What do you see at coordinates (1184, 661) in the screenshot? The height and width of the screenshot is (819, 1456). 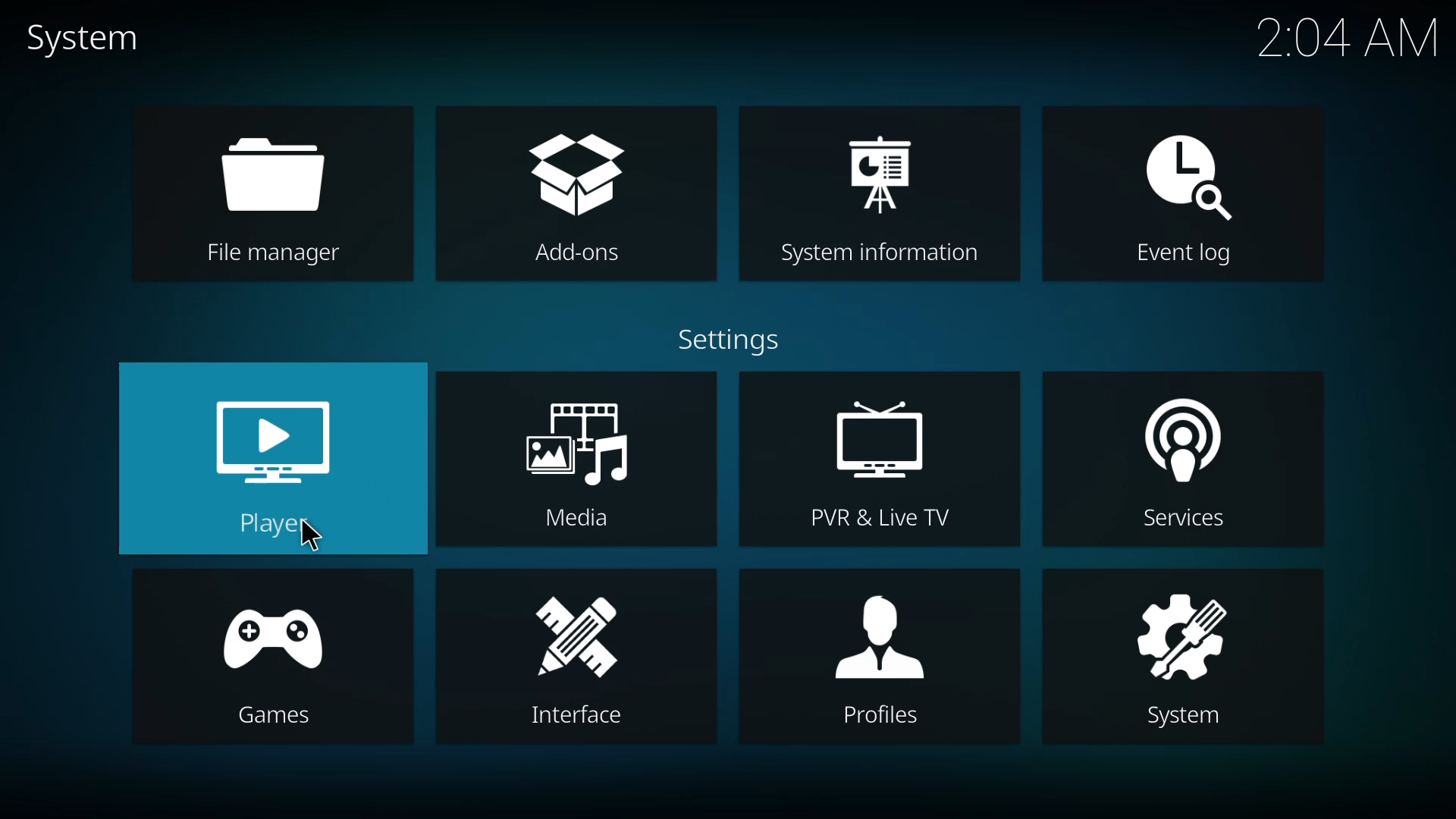 I see `system` at bounding box center [1184, 661].